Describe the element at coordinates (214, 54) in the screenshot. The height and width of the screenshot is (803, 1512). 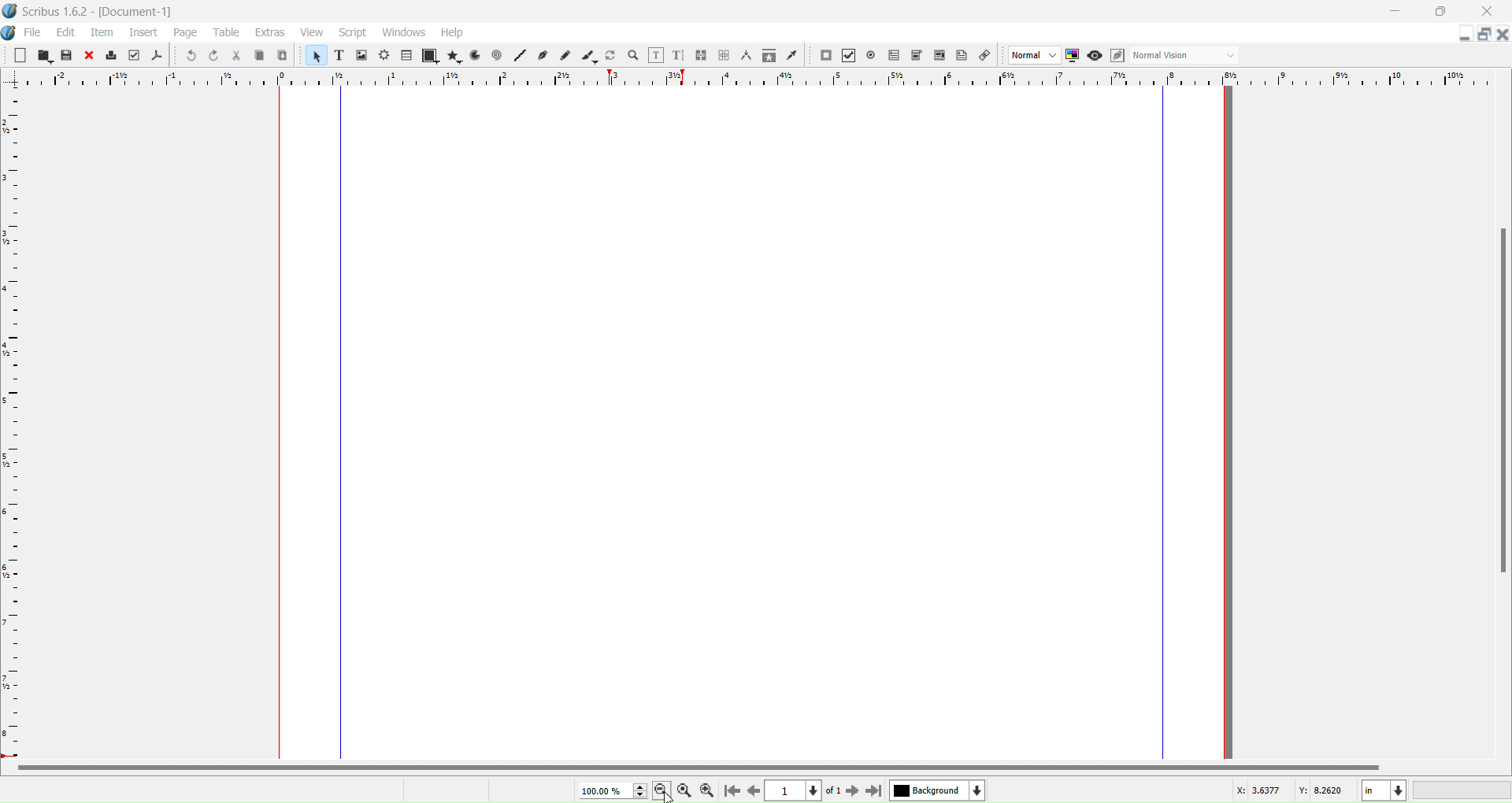
I see `Redo` at that location.